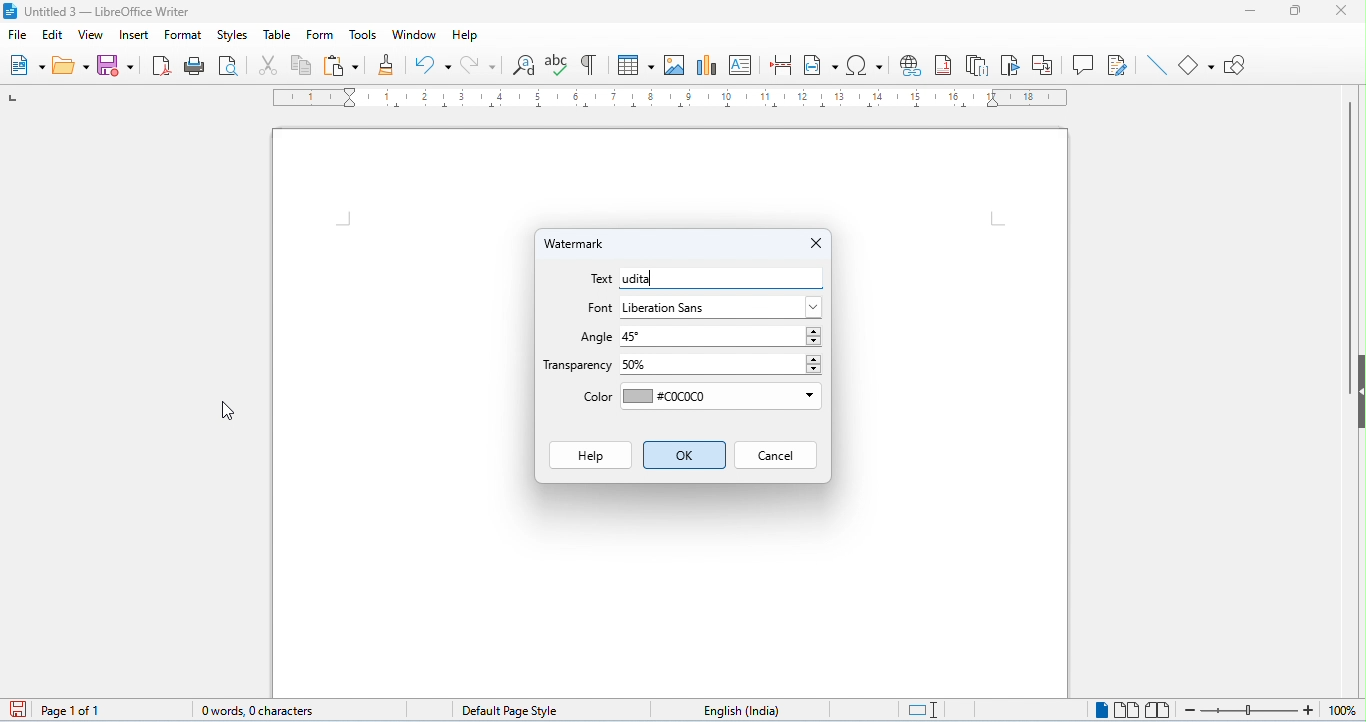 The width and height of the screenshot is (1366, 722). I want to click on show track changes, so click(1118, 64).